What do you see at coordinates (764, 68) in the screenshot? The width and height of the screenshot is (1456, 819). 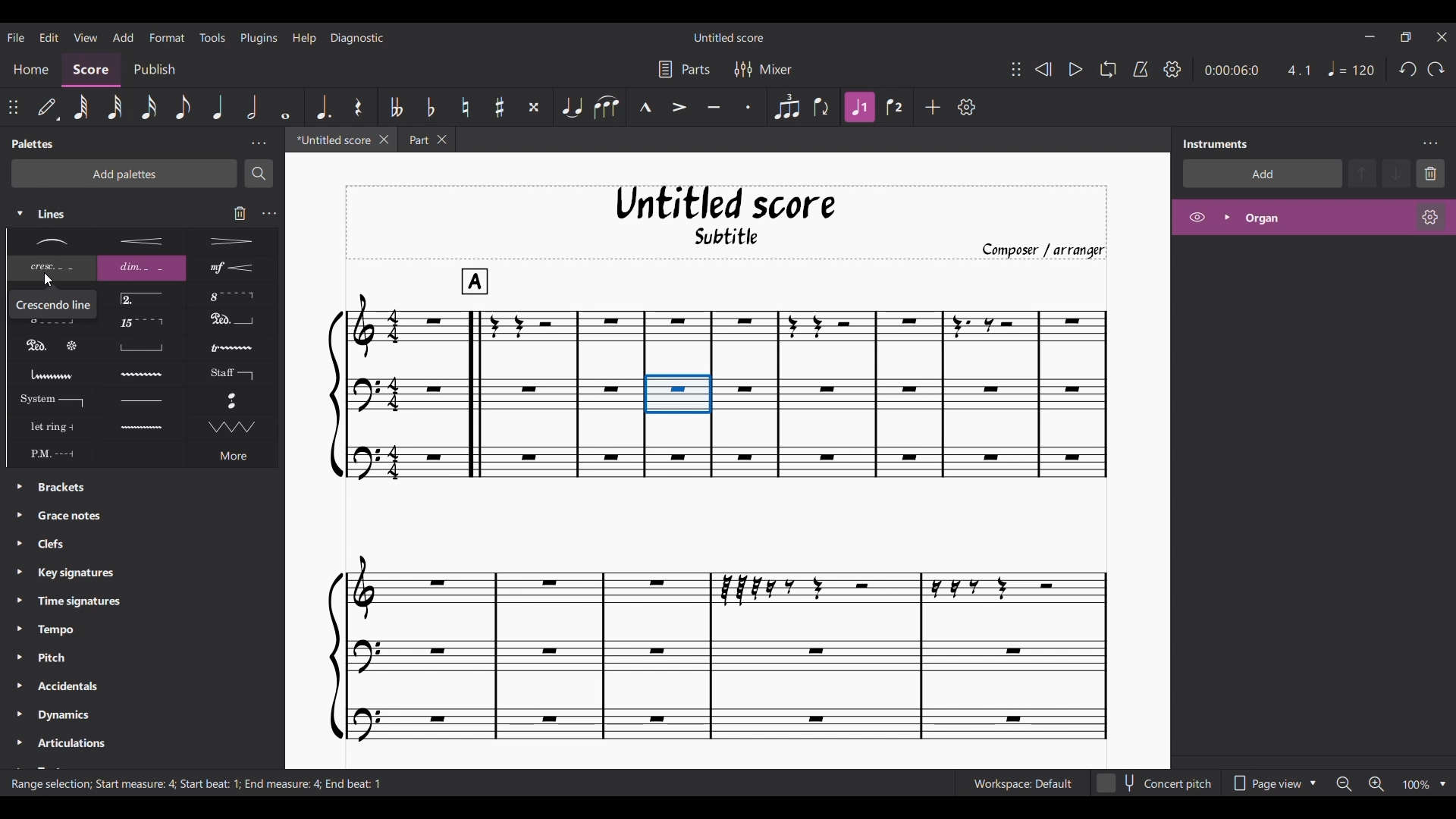 I see `Mixer settings` at bounding box center [764, 68].